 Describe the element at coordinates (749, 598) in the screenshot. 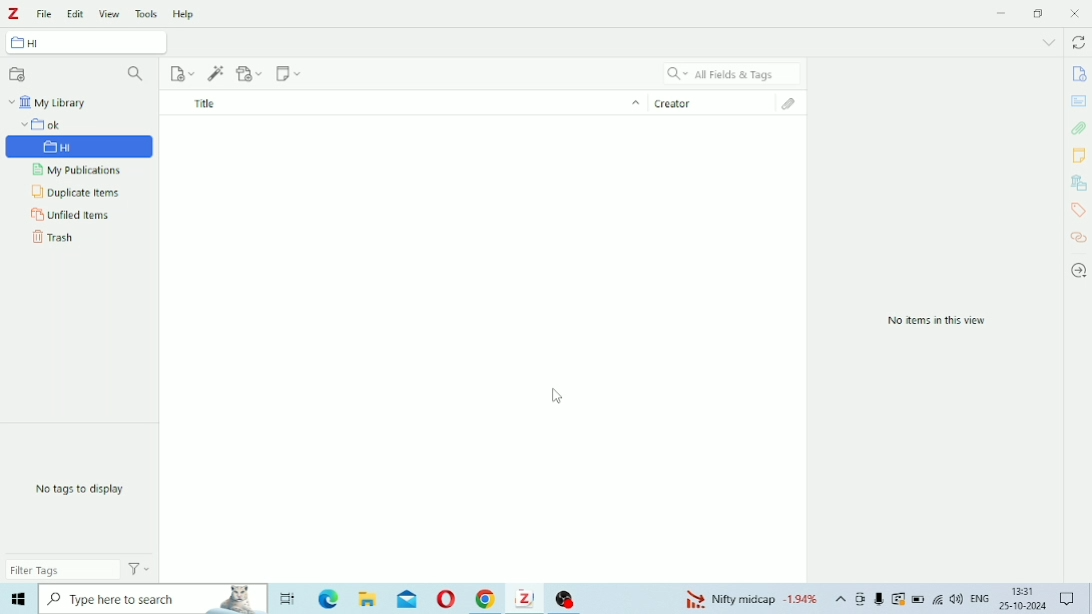

I see `Nifty midcap -1.94%` at that location.